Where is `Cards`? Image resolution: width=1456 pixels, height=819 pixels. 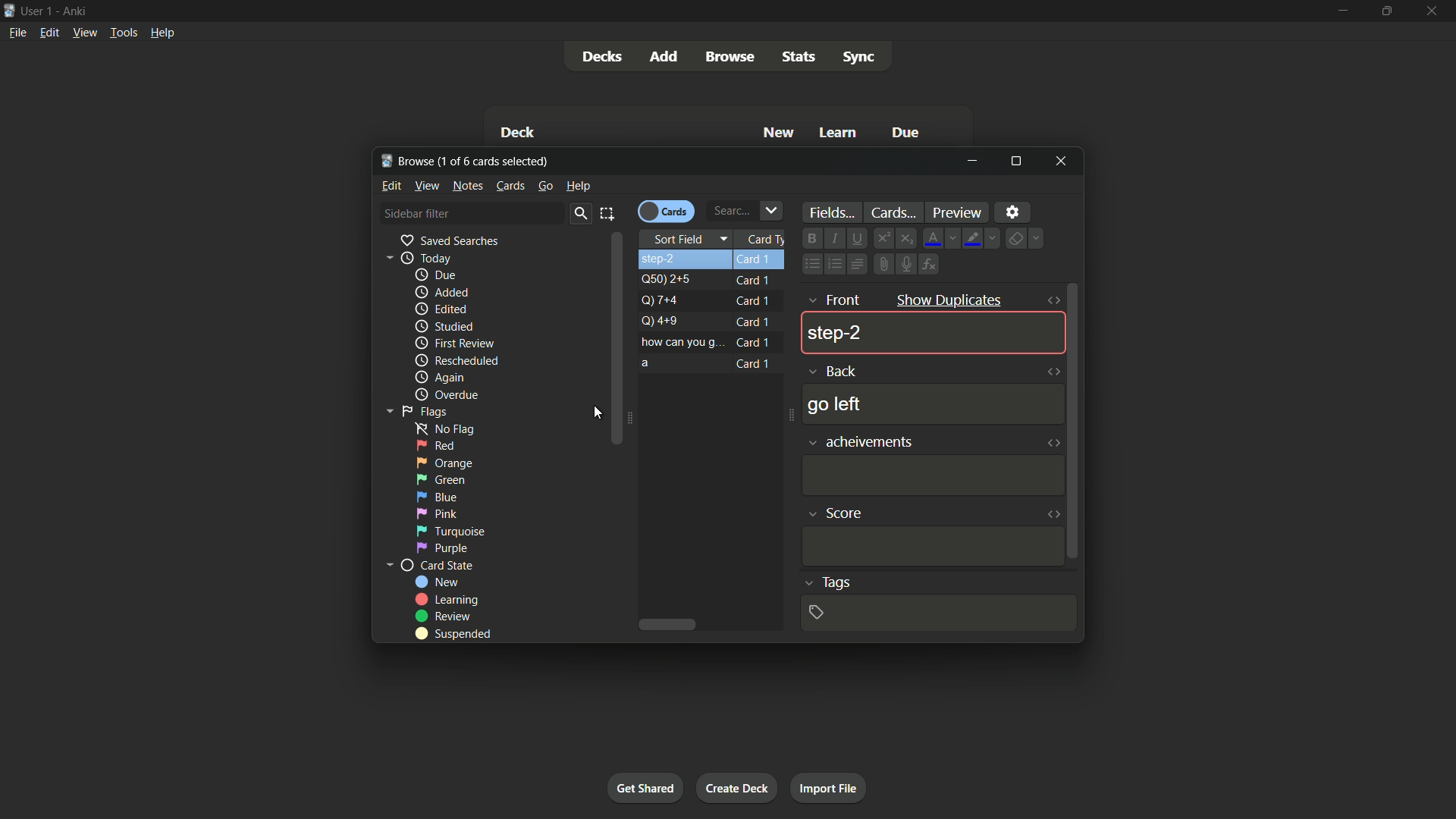
Cards is located at coordinates (666, 210).